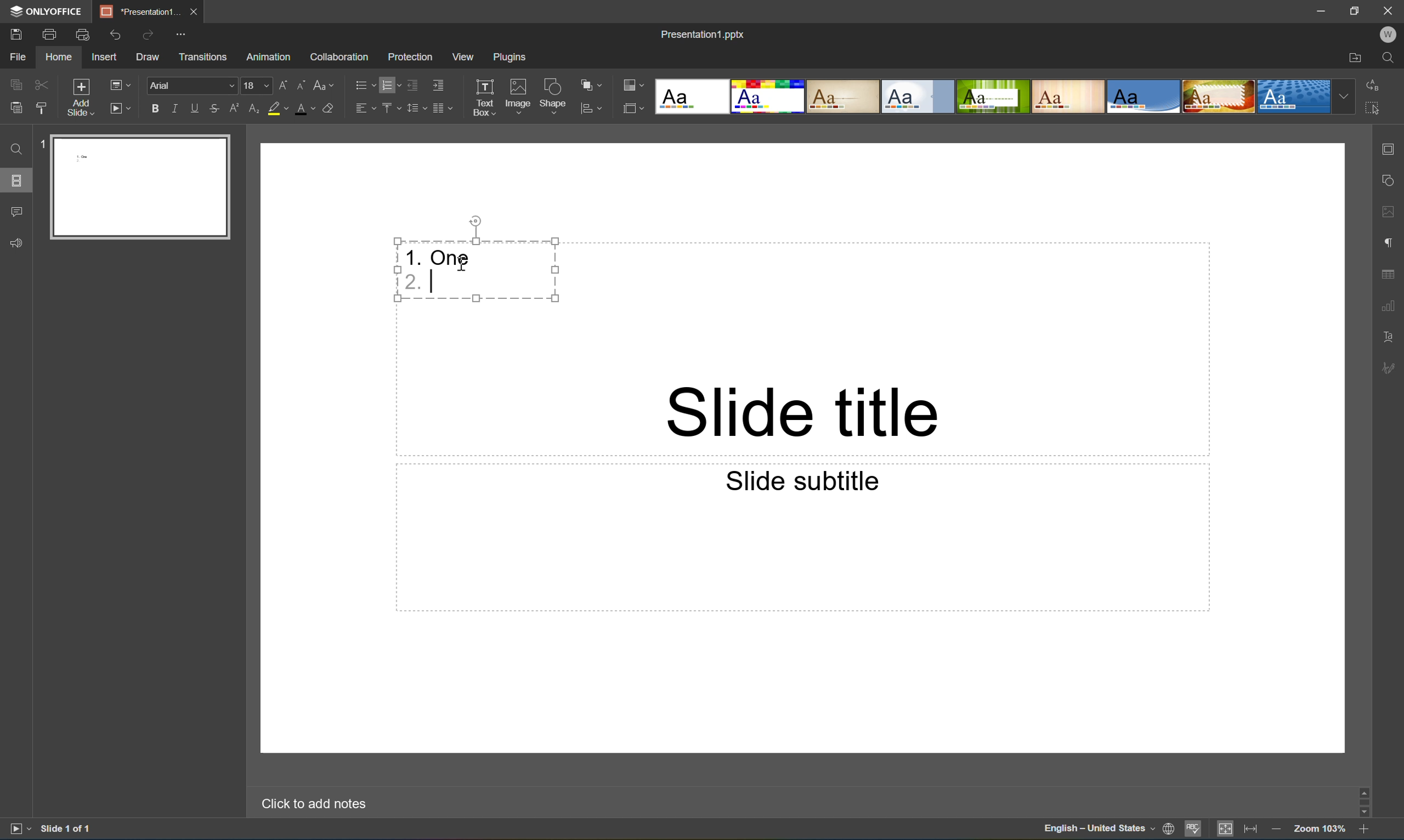 This screenshot has height=840, width=1404. What do you see at coordinates (193, 85) in the screenshot?
I see `Font` at bounding box center [193, 85].